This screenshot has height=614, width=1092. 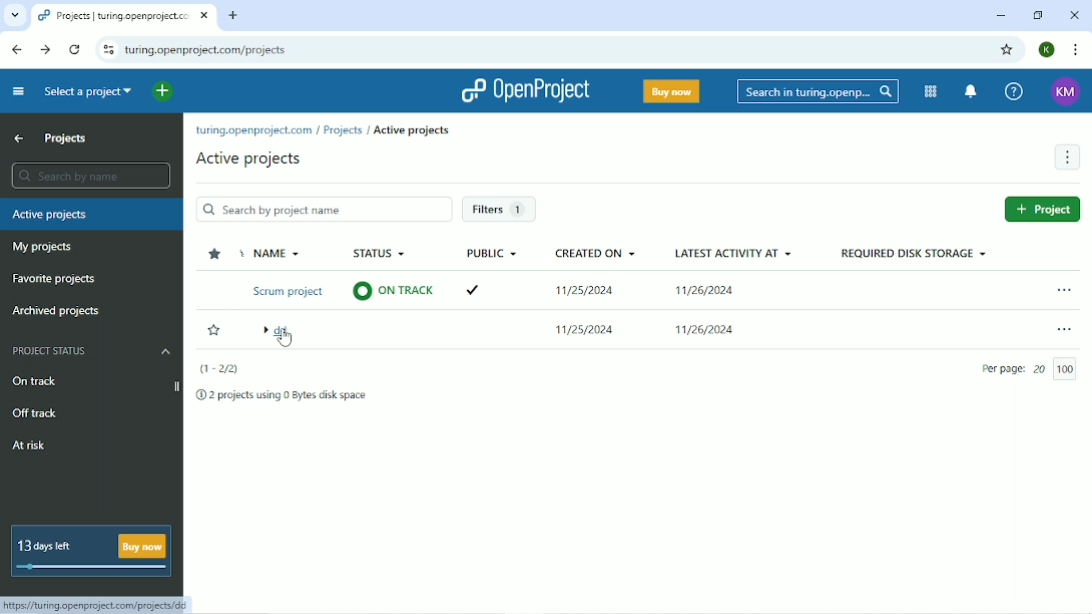 What do you see at coordinates (1042, 209) in the screenshot?
I see `New project` at bounding box center [1042, 209].